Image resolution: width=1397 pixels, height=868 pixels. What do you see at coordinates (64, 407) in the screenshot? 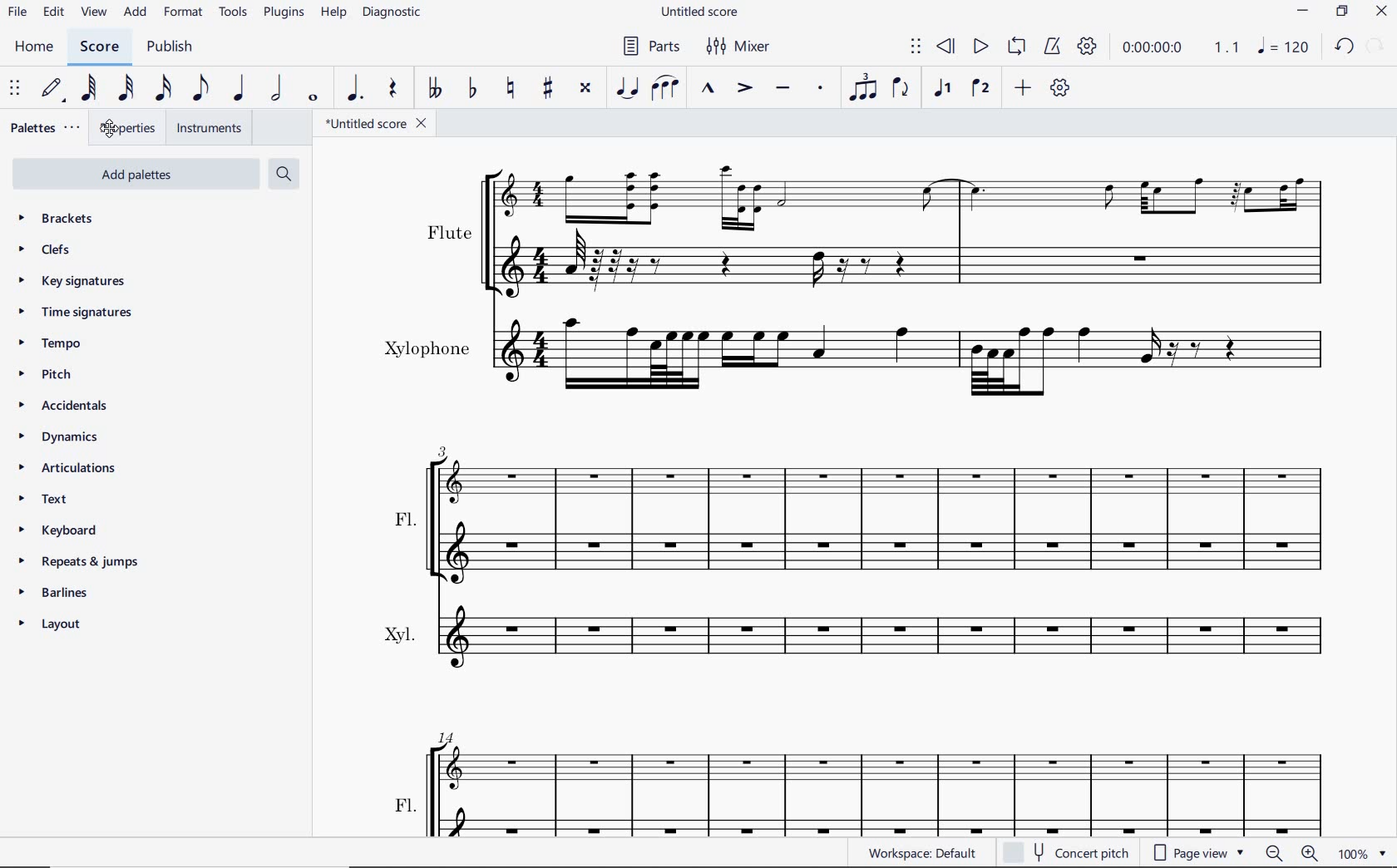
I see `accidentals` at bounding box center [64, 407].